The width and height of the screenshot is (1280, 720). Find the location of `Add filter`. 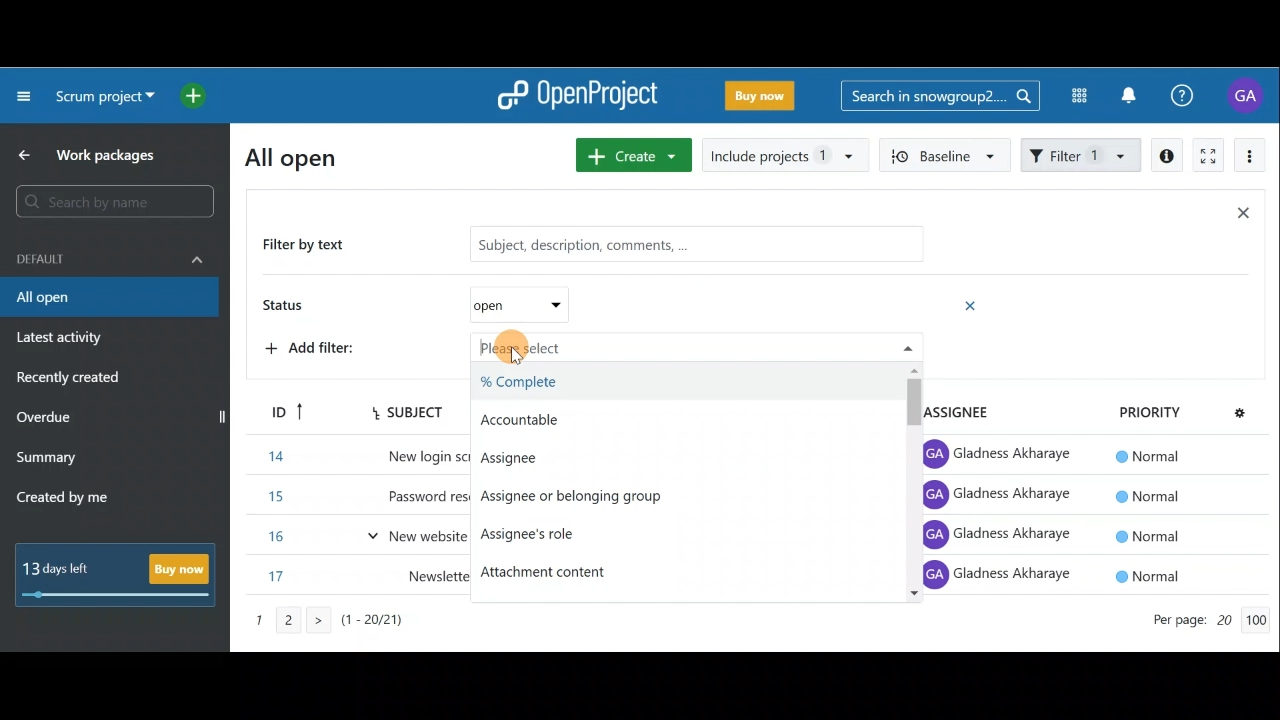

Add filter is located at coordinates (308, 347).